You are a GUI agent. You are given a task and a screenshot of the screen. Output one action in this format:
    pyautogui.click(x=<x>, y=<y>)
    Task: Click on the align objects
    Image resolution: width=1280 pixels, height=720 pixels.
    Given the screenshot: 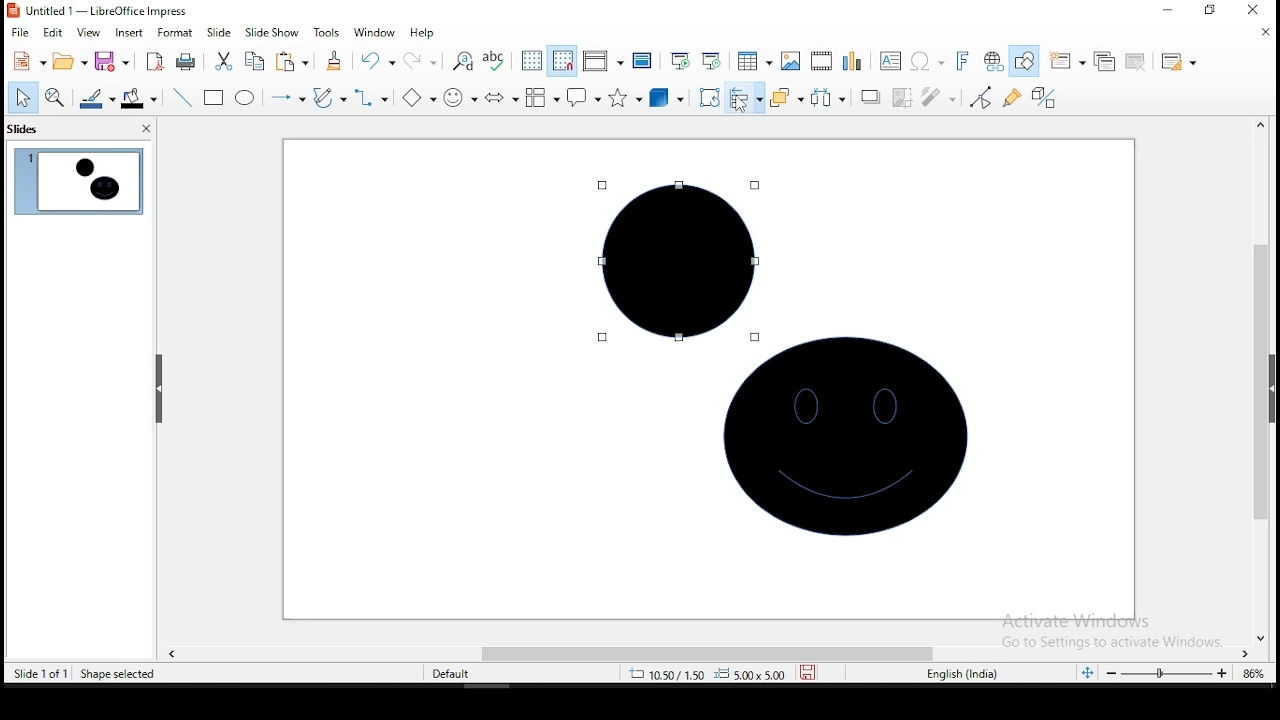 What is the action you would take?
    pyautogui.click(x=743, y=99)
    